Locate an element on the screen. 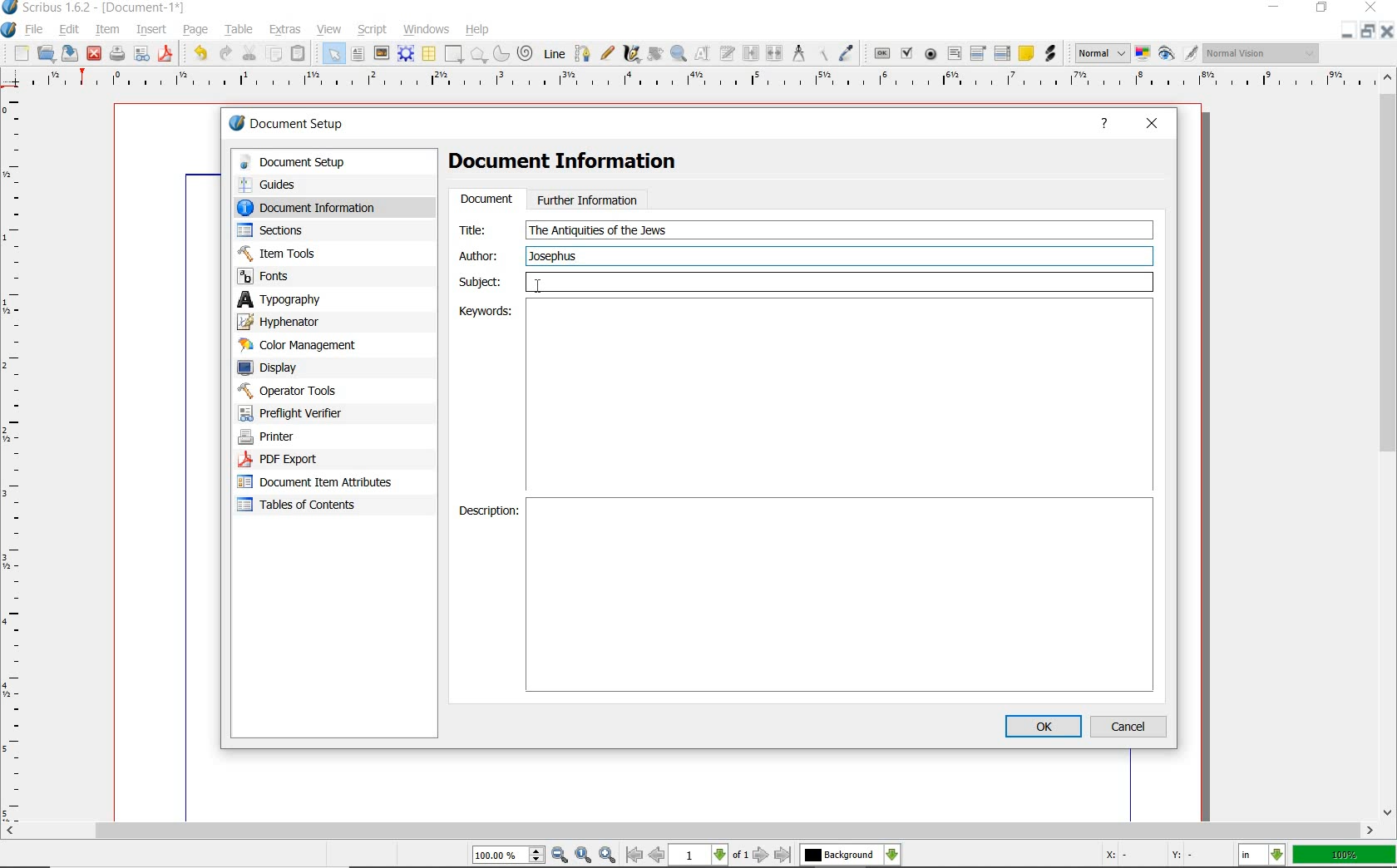  edit is located at coordinates (70, 29).